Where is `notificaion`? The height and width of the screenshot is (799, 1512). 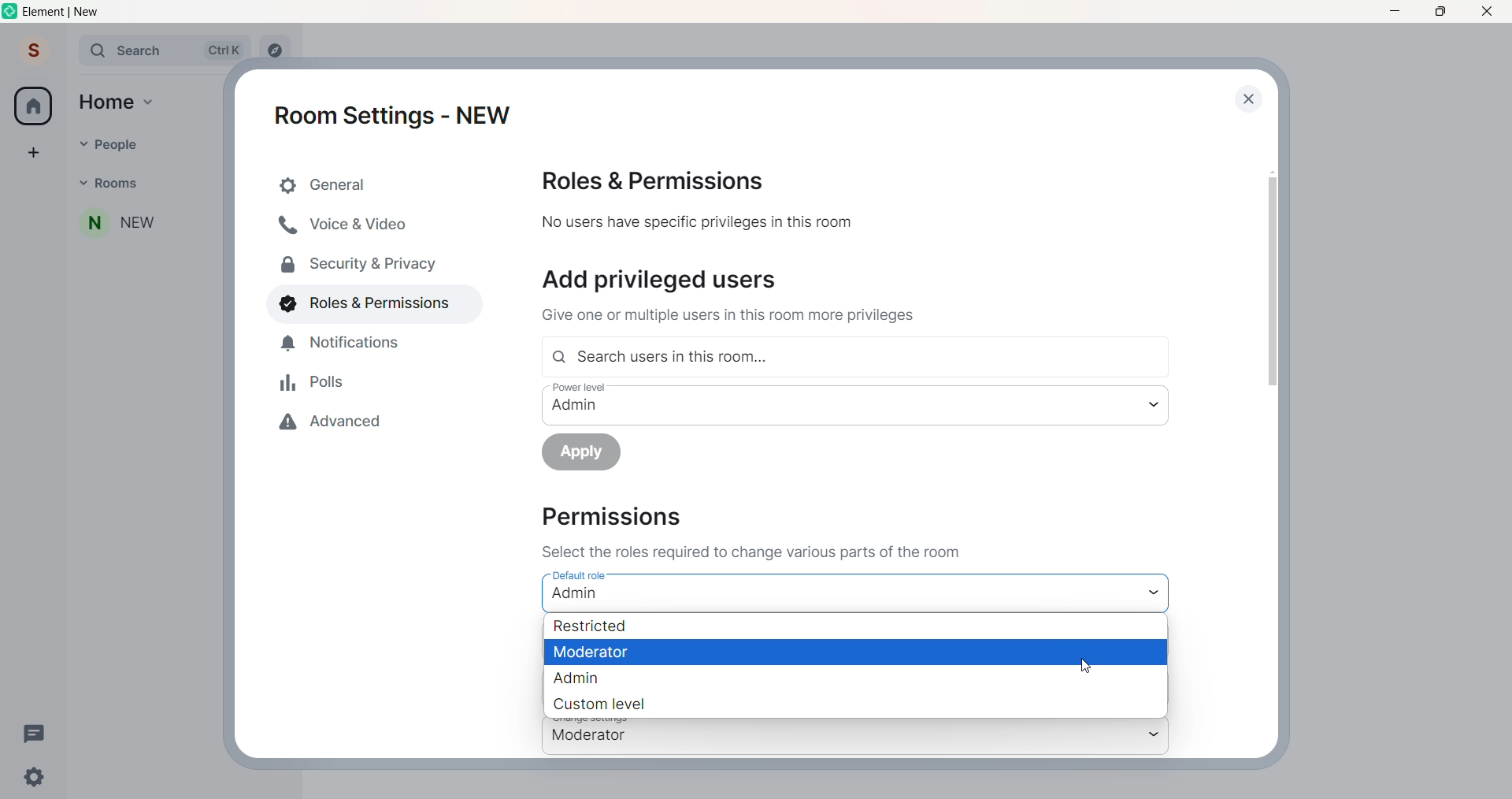 notificaion is located at coordinates (340, 347).